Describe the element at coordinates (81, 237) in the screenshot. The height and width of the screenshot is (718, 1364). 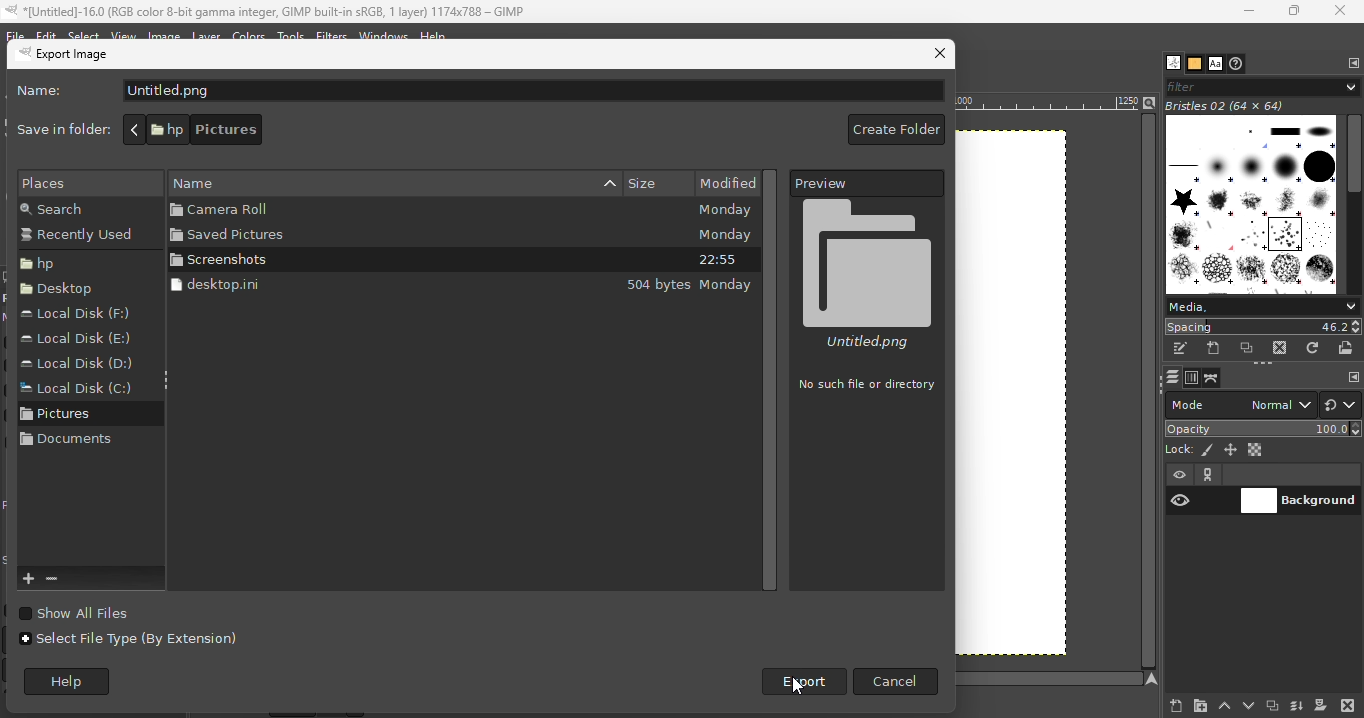
I see `Recently used` at that location.